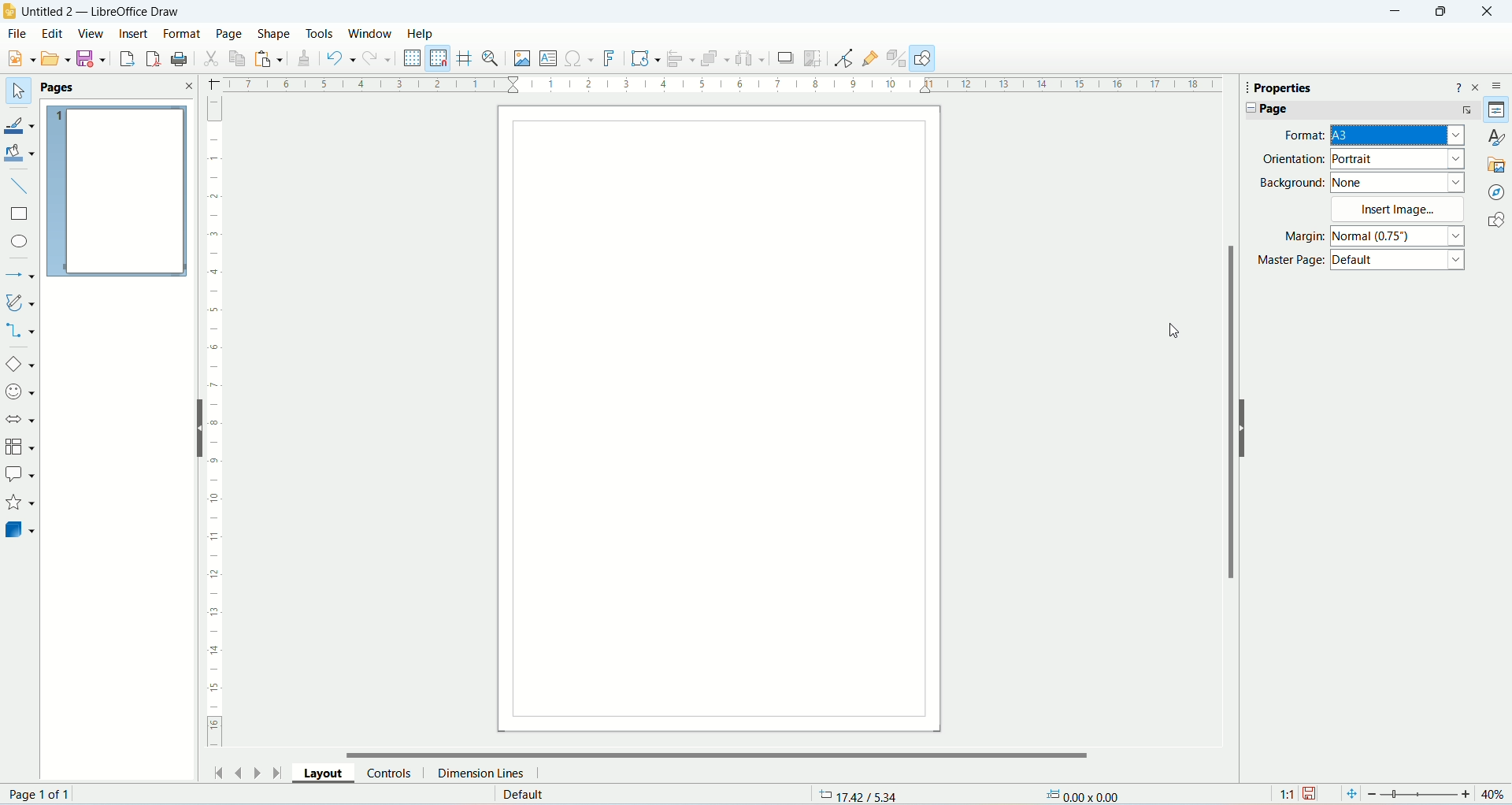 The height and width of the screenshot is (805, 1512). What do you see at coordinates (481, 773) in the screenshot?
I see `dimension lines` at bounding box center [481, 773].